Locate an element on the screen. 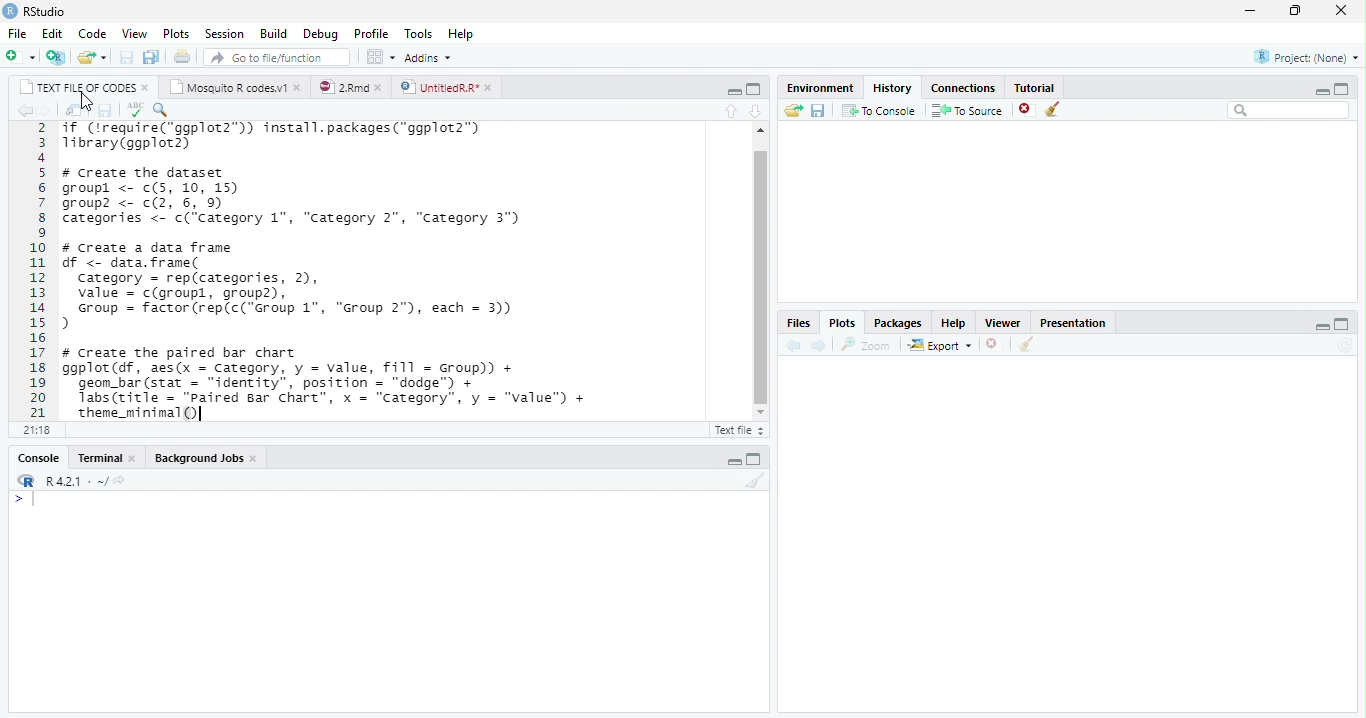 The height and width of the screenshot is (718, 1366). packages is located at coordinates (898, 321).